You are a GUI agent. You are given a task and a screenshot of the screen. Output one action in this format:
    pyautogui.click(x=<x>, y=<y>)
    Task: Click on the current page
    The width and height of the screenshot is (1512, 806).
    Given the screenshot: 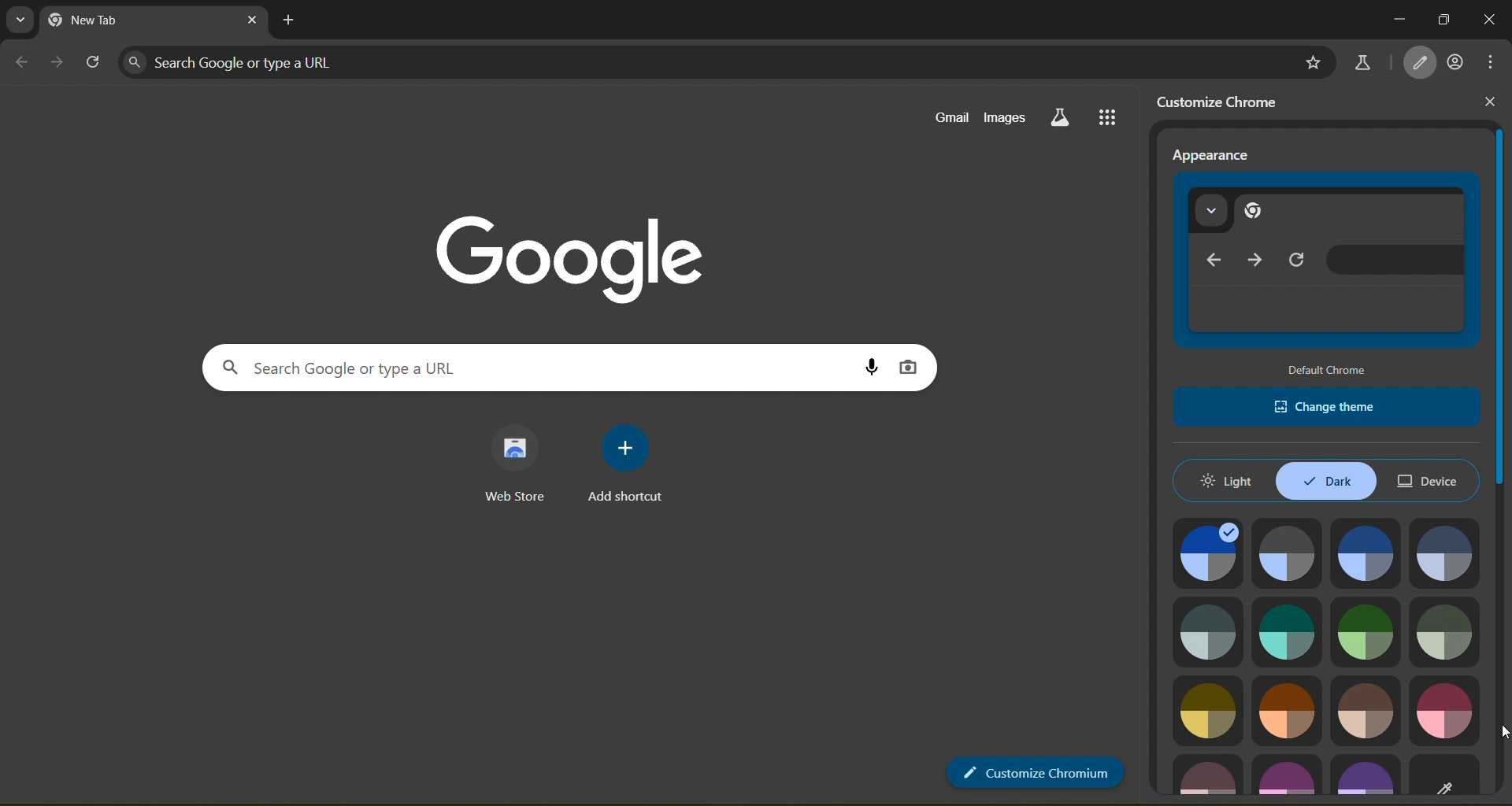 What is the action you would take?
    pyautogui.click(x=136, y=20)
    